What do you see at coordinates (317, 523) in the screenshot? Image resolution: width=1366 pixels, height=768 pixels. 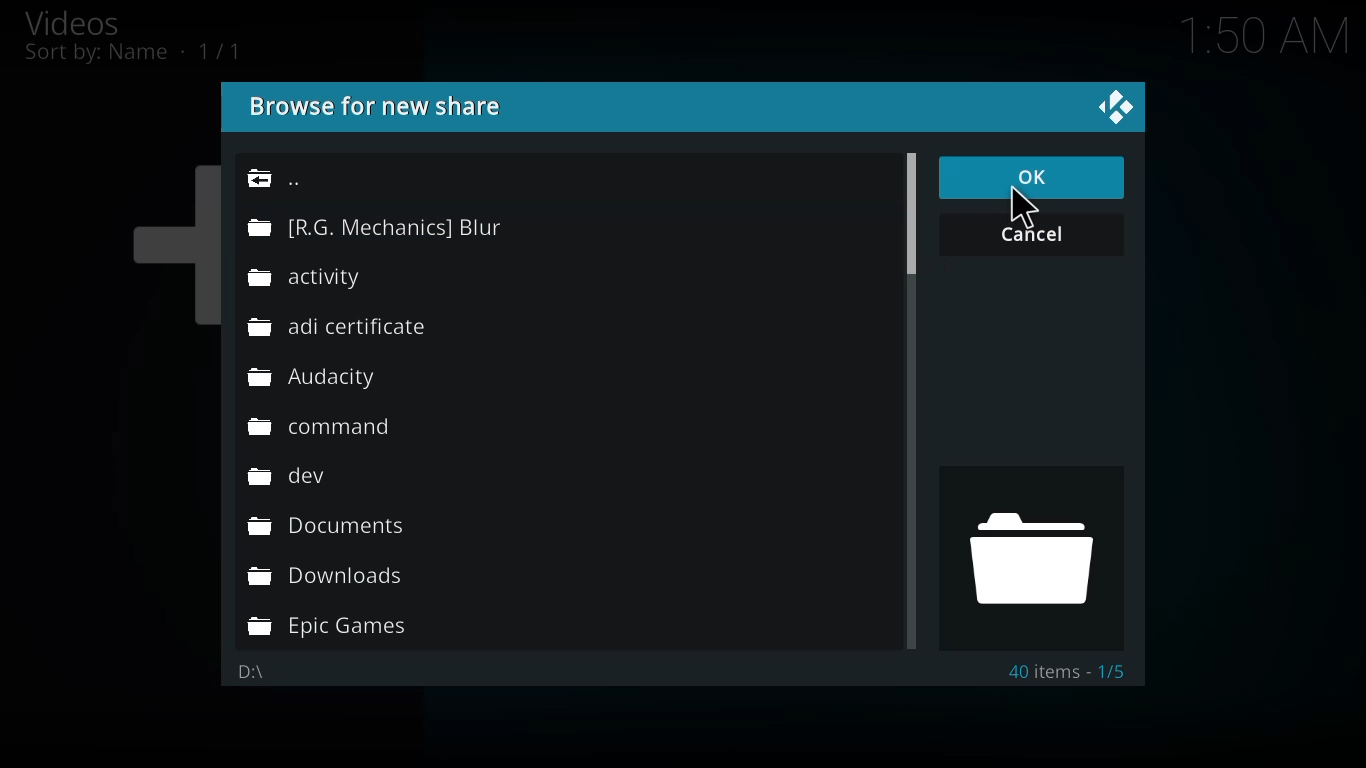 I see `folder` at bounding box center [317, 523].